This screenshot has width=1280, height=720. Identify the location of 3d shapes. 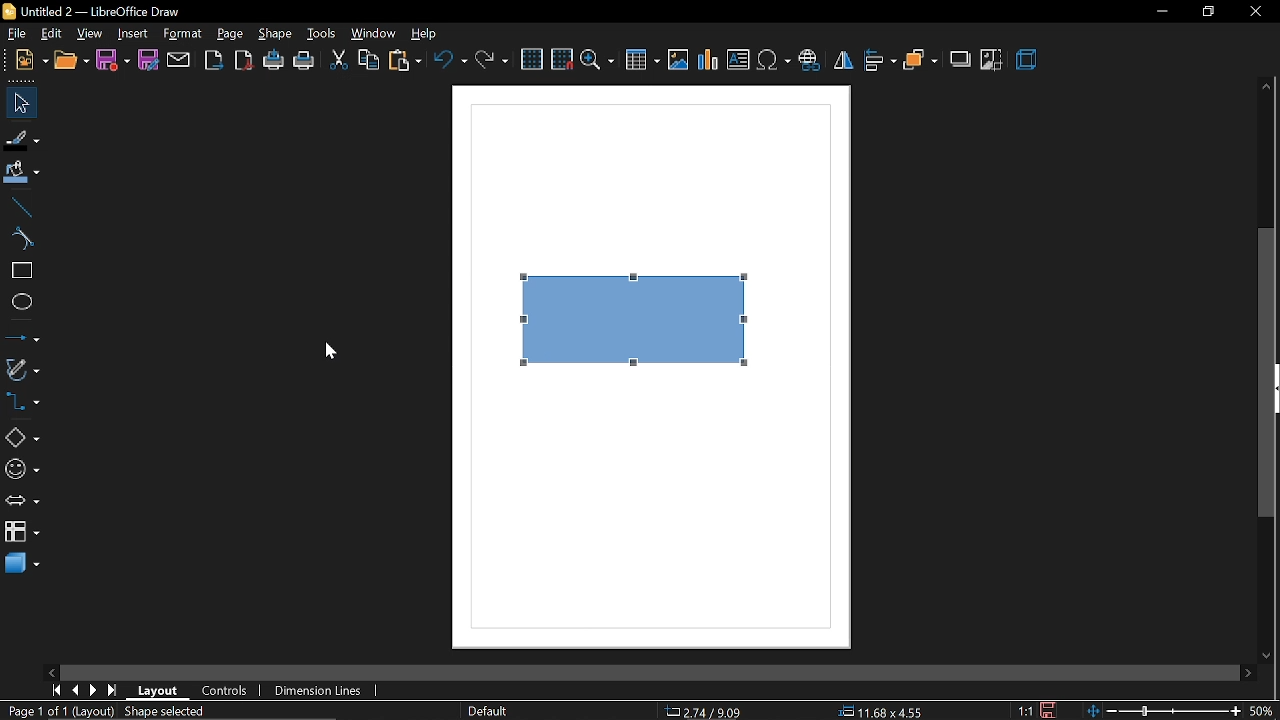
(22, 565).